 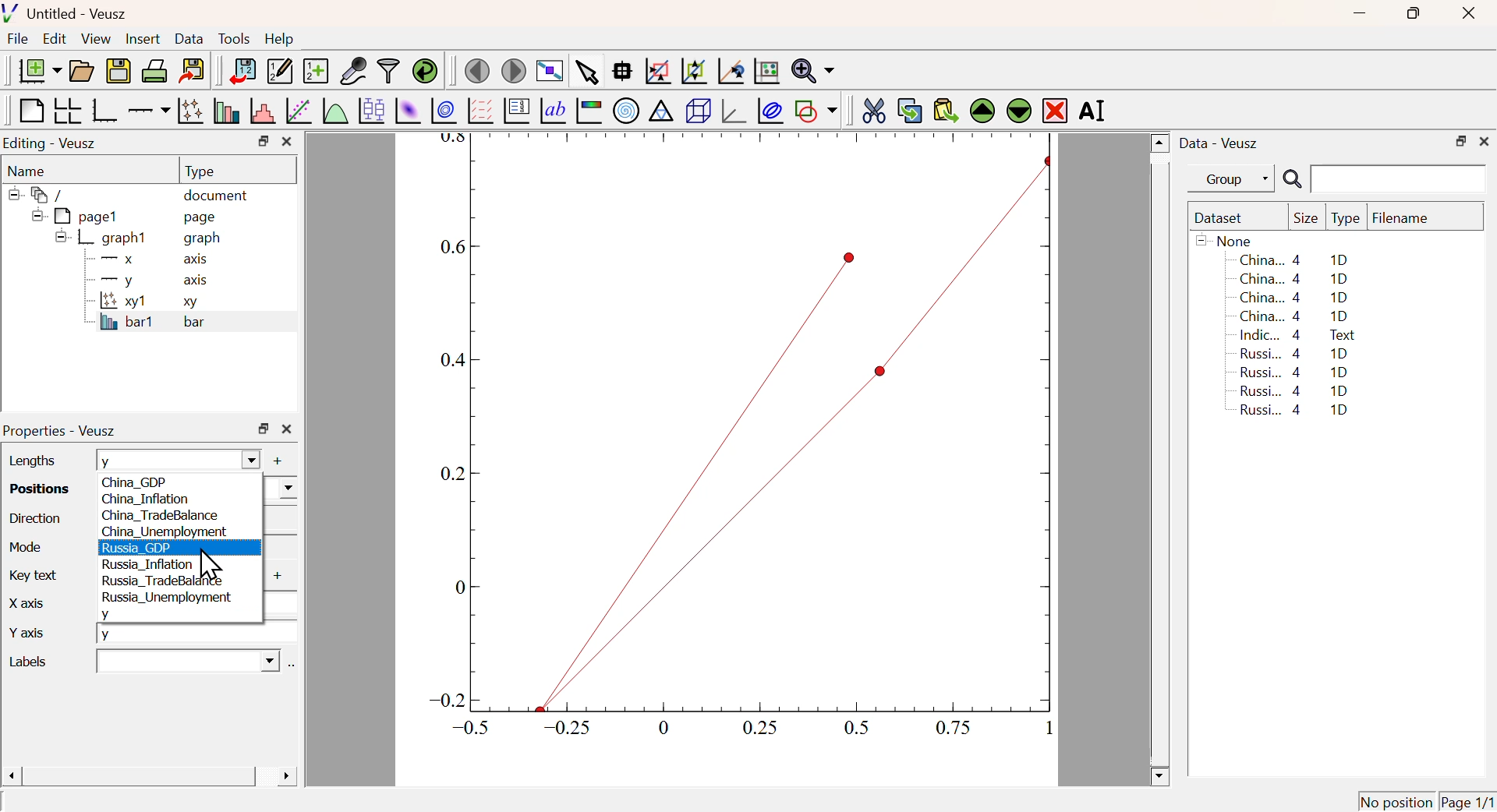 I want to click on Move Down, so click(x=1018, y=110).